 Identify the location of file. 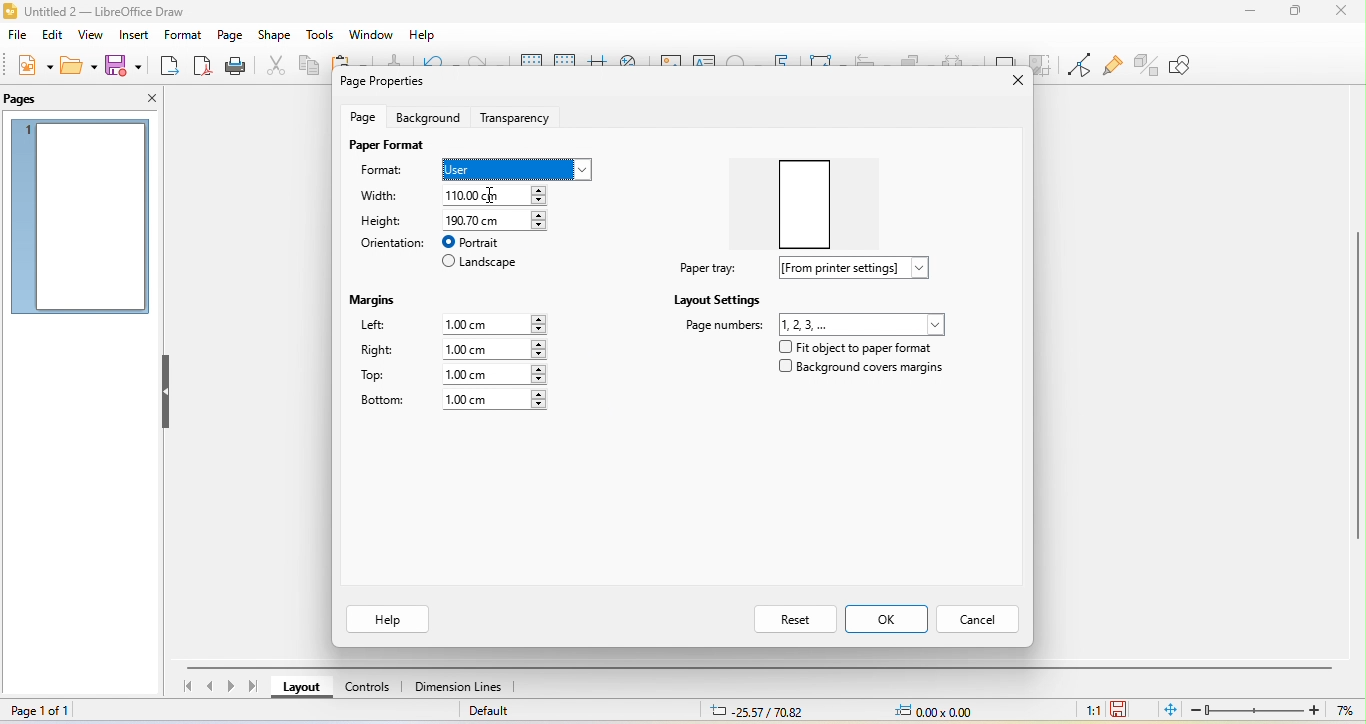
(17, 37).